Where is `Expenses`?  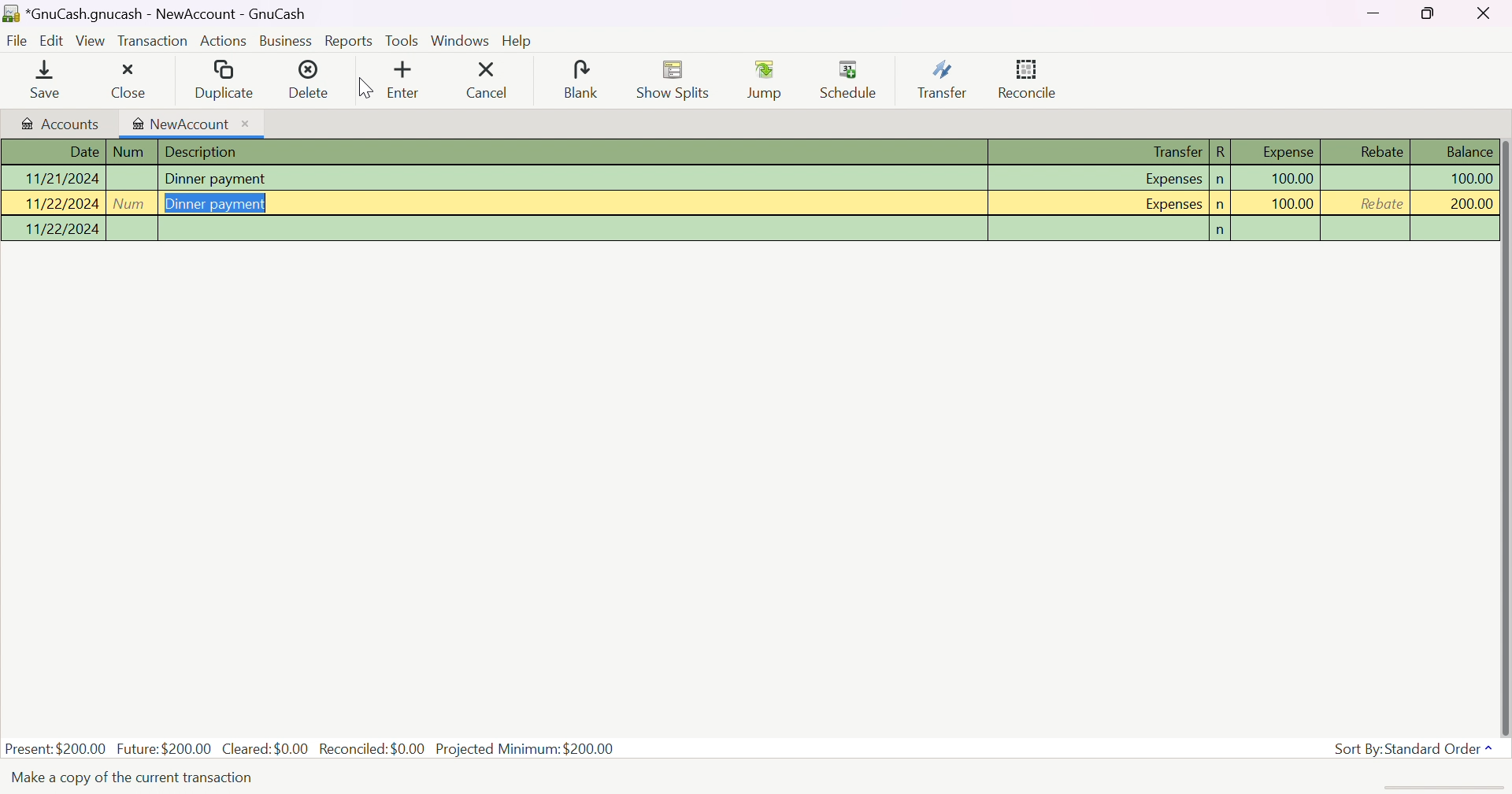
Expenses is located at coordinates (1170, 180).